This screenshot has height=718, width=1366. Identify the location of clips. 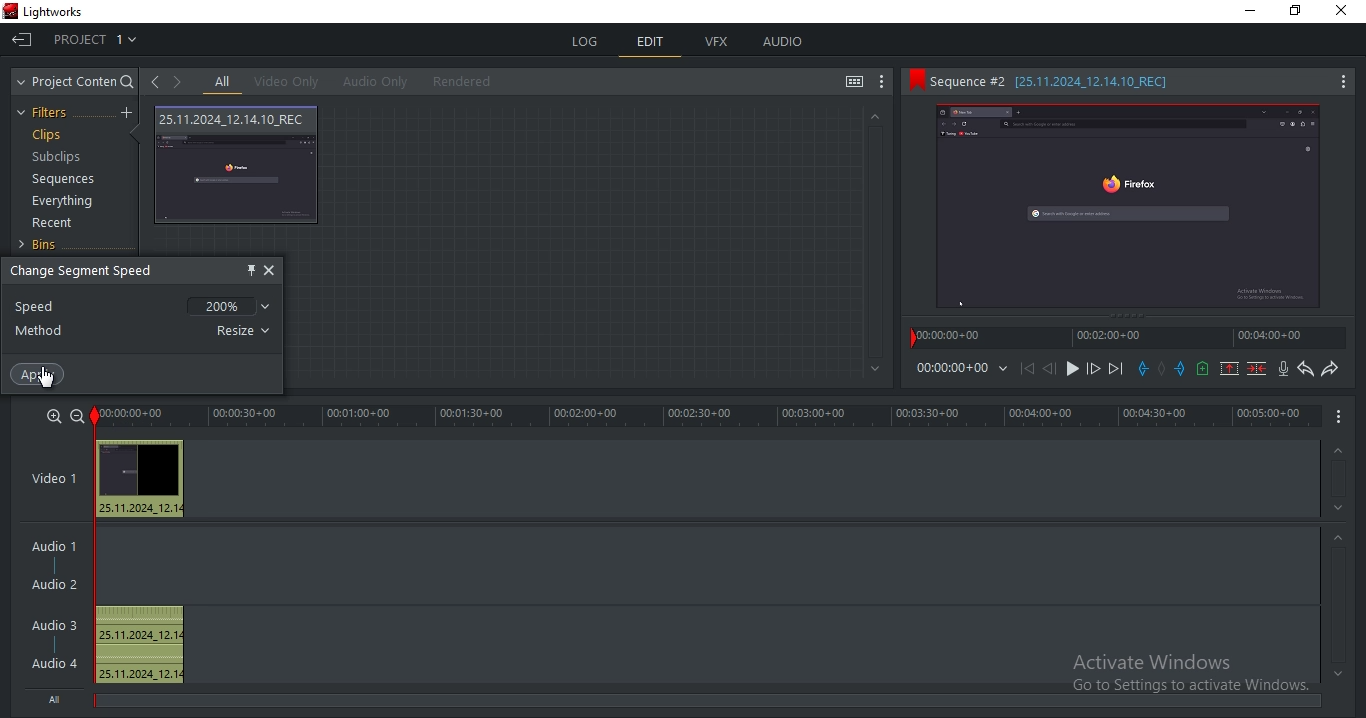
(50, 136).